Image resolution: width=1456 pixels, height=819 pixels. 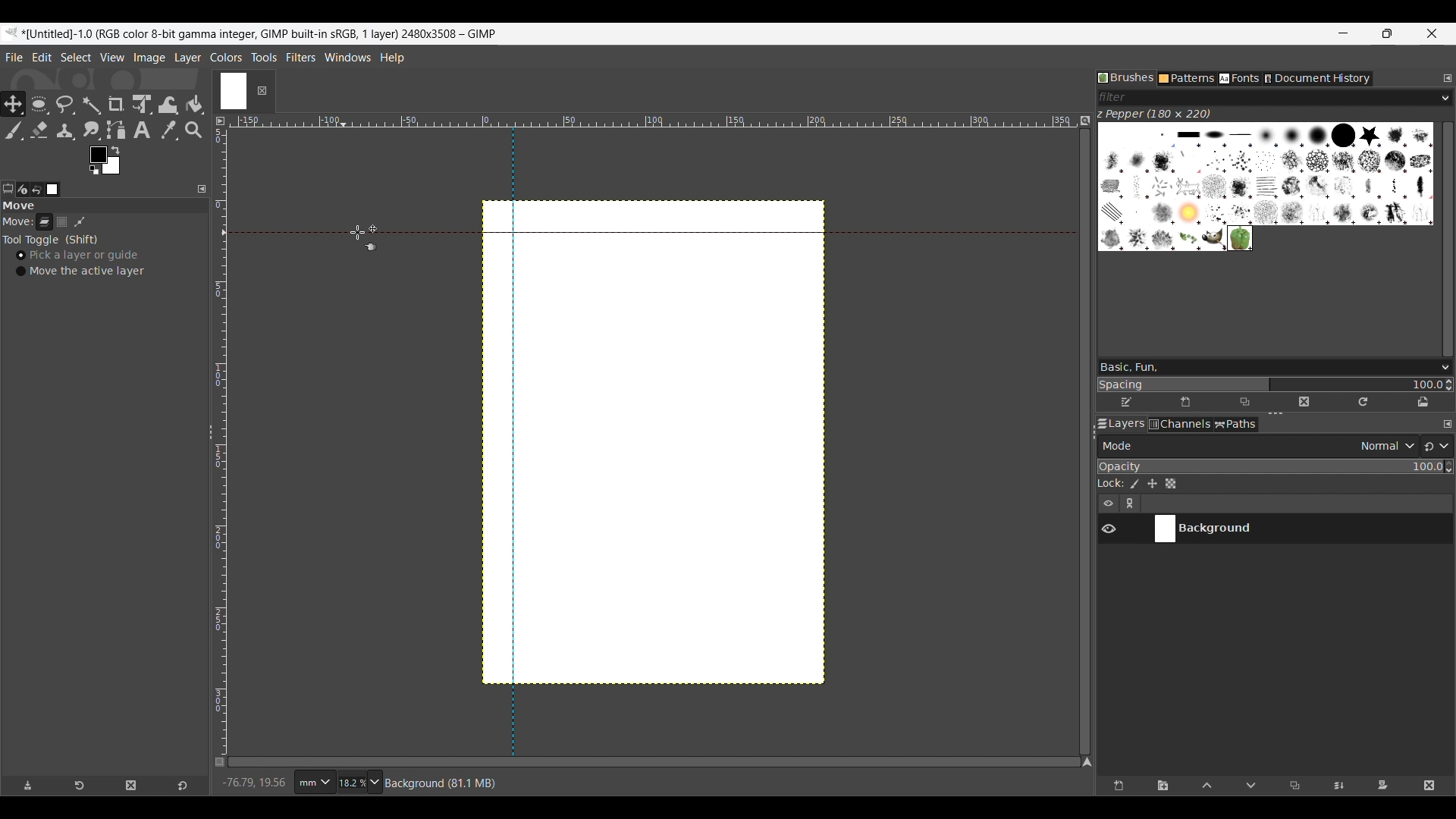 What do you see at coordinates (1236, 424) in the screenshot?
I see `Paths tab` at bounding box center [1236, 424].